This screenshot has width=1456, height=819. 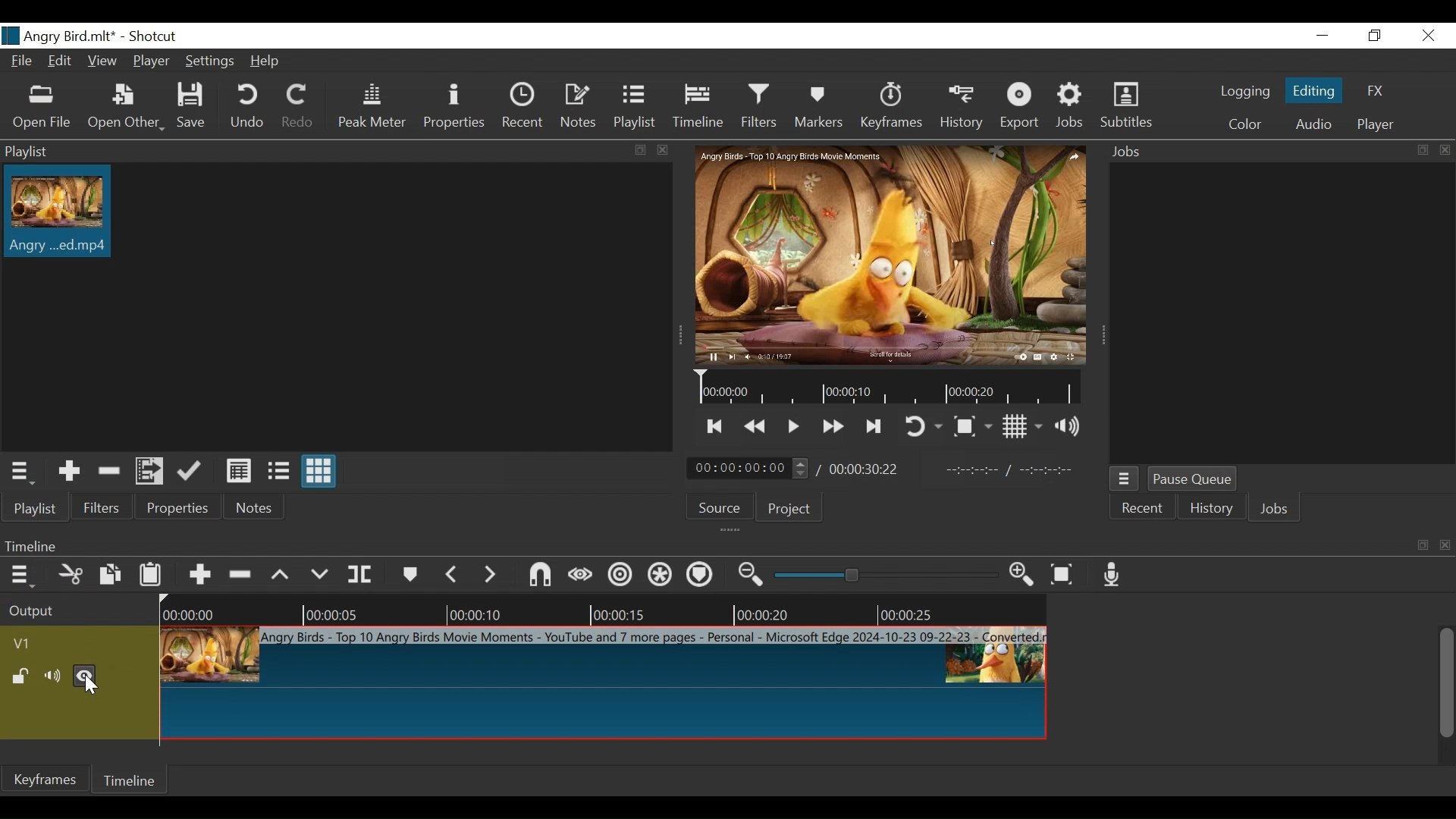 What do you see at coordinates (318, 576) in the screenshot?
I see `Overwrite` at bounding box center [318, 576].